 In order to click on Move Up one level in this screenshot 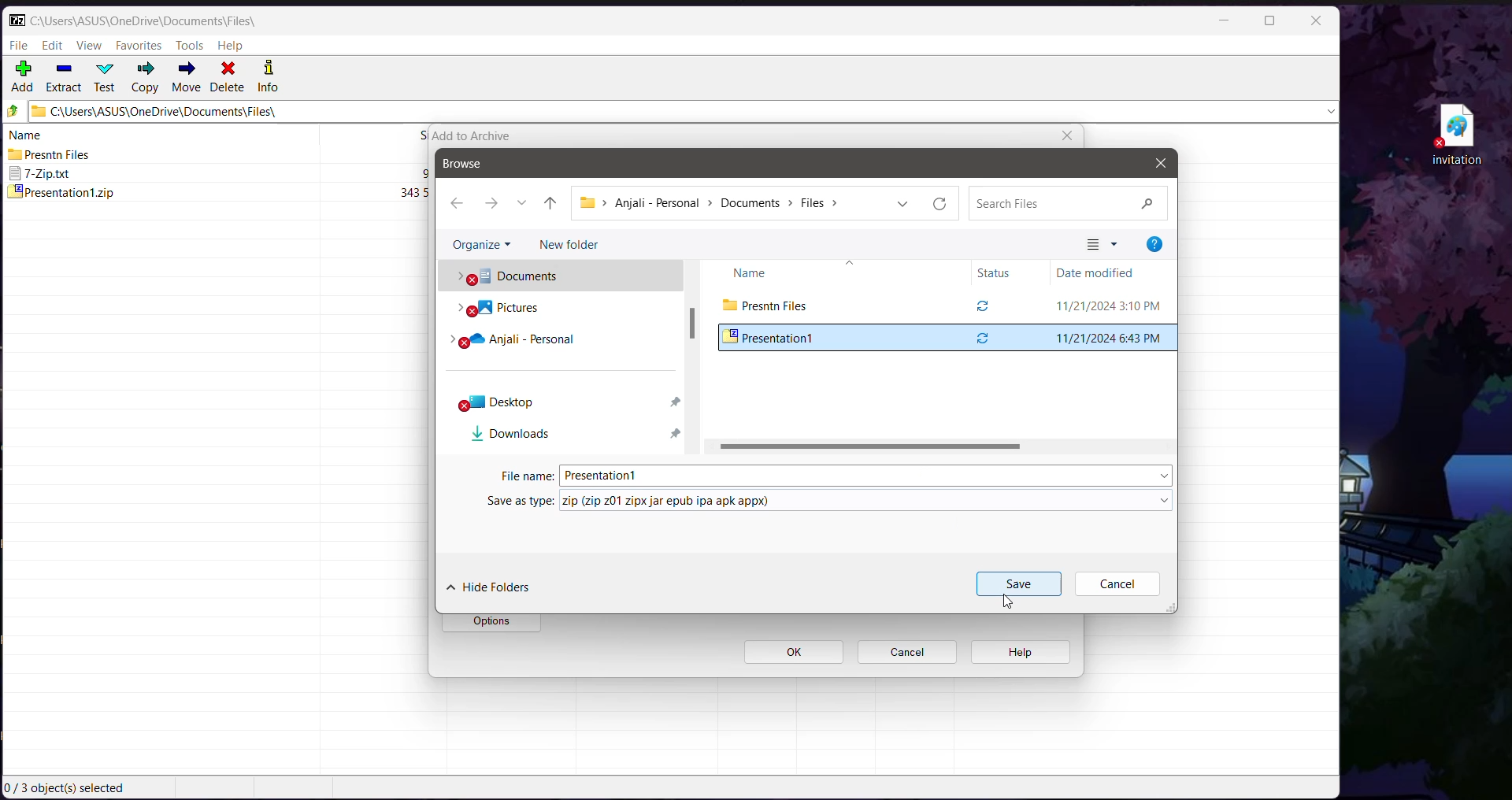, I will do `click(13, 111)`.